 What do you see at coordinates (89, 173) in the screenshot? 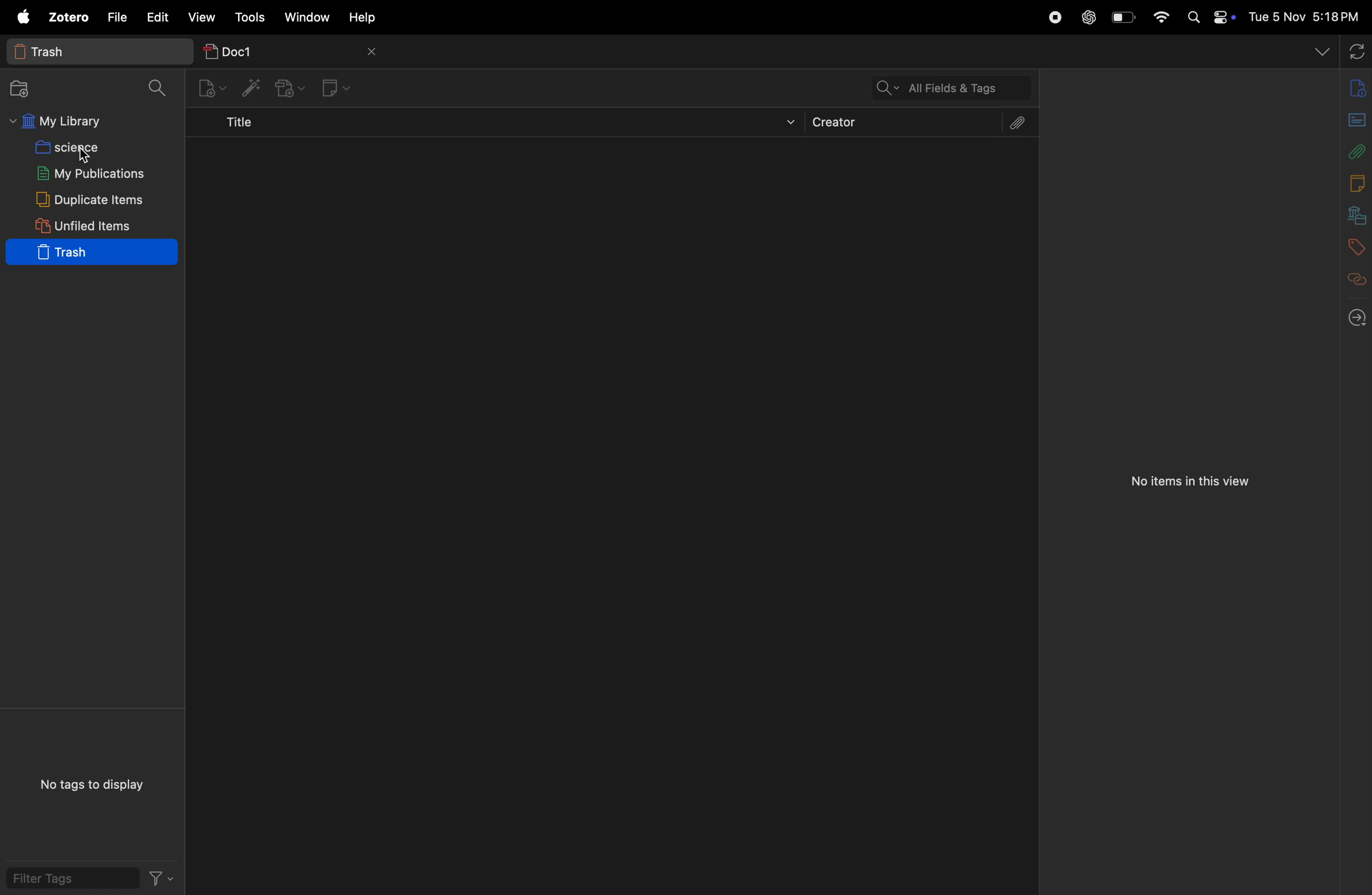
I see `my publications` at bounding box center [89, 173].